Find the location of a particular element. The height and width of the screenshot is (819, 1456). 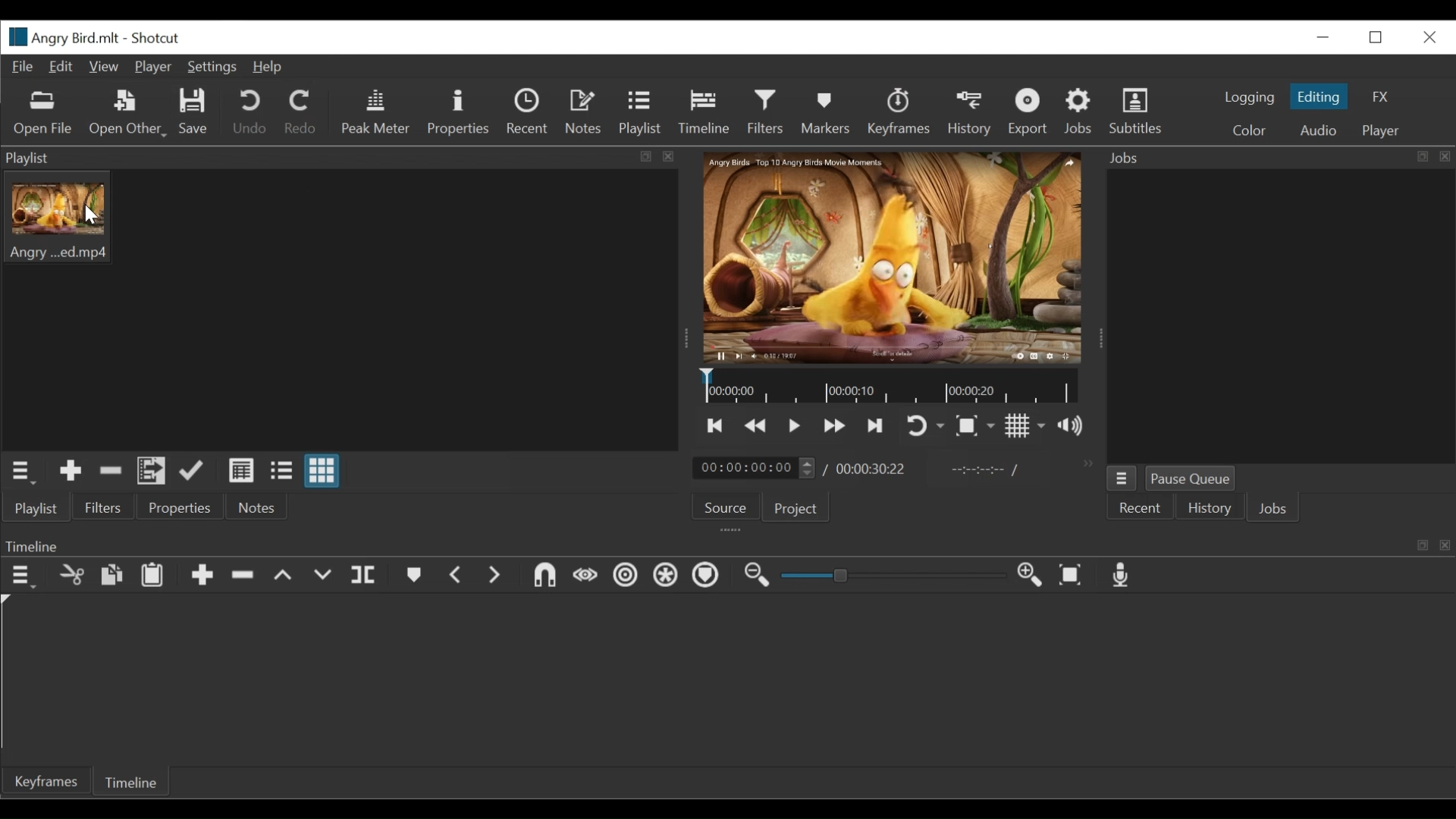

Timeline is located at coordinates (890, 387).